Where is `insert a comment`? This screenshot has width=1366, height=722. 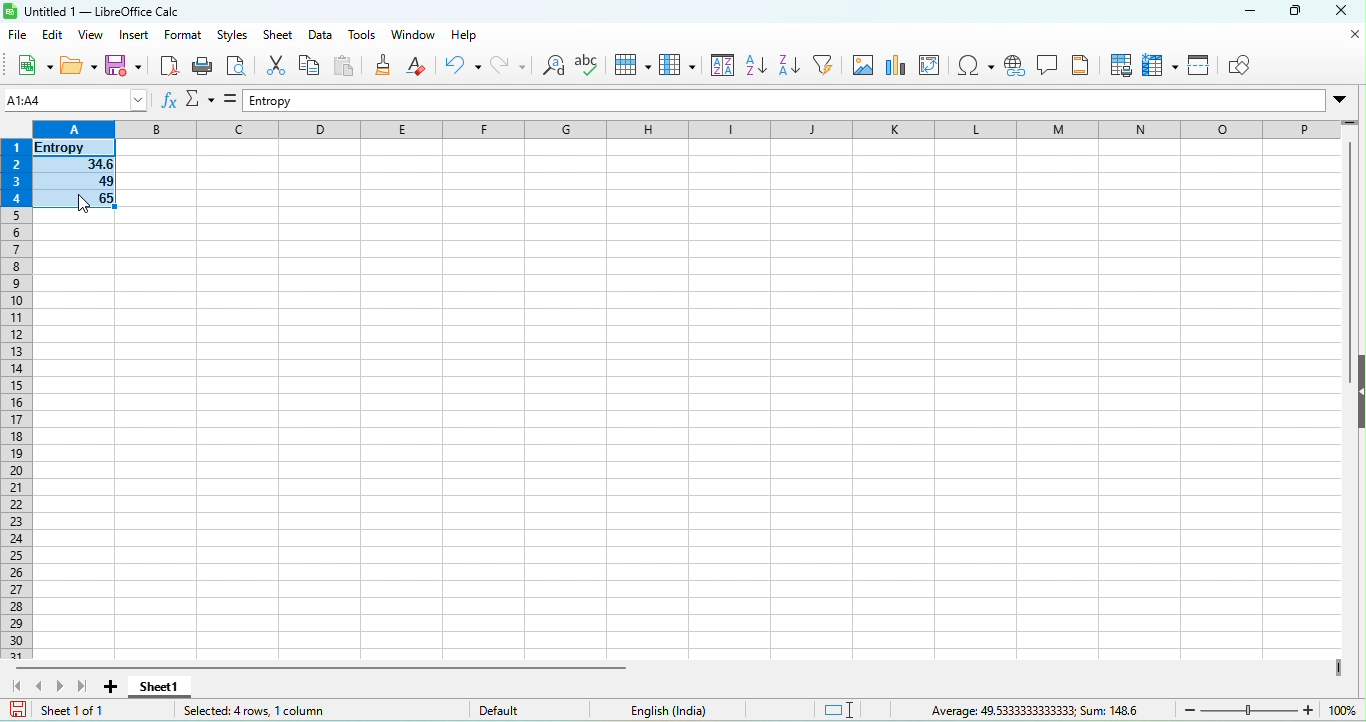
insert a comment is located at coordinates (1052, 67).